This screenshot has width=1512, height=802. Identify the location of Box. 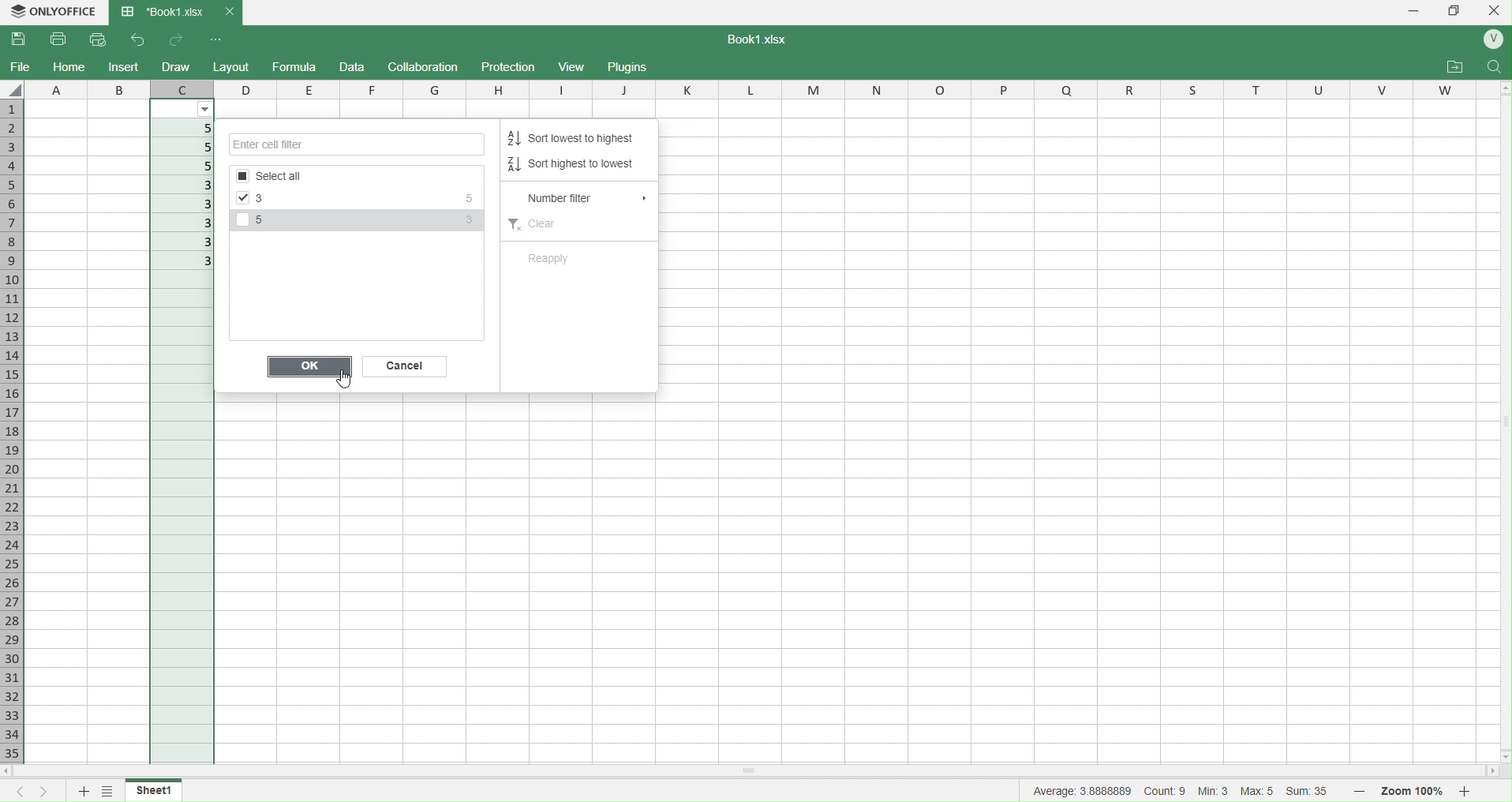
(1456, 10).